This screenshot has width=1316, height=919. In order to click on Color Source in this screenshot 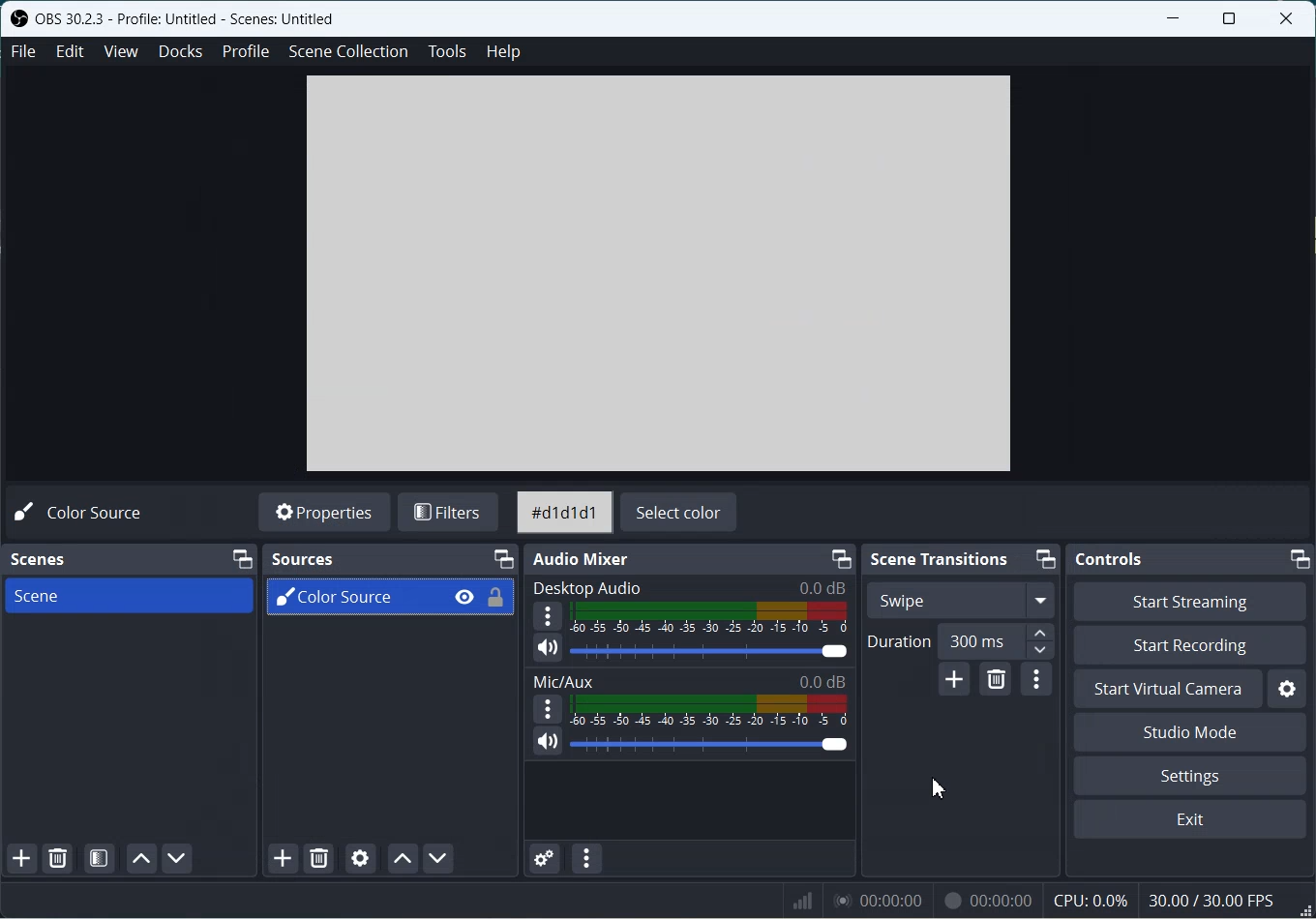, I will do `click(354, 601)`.